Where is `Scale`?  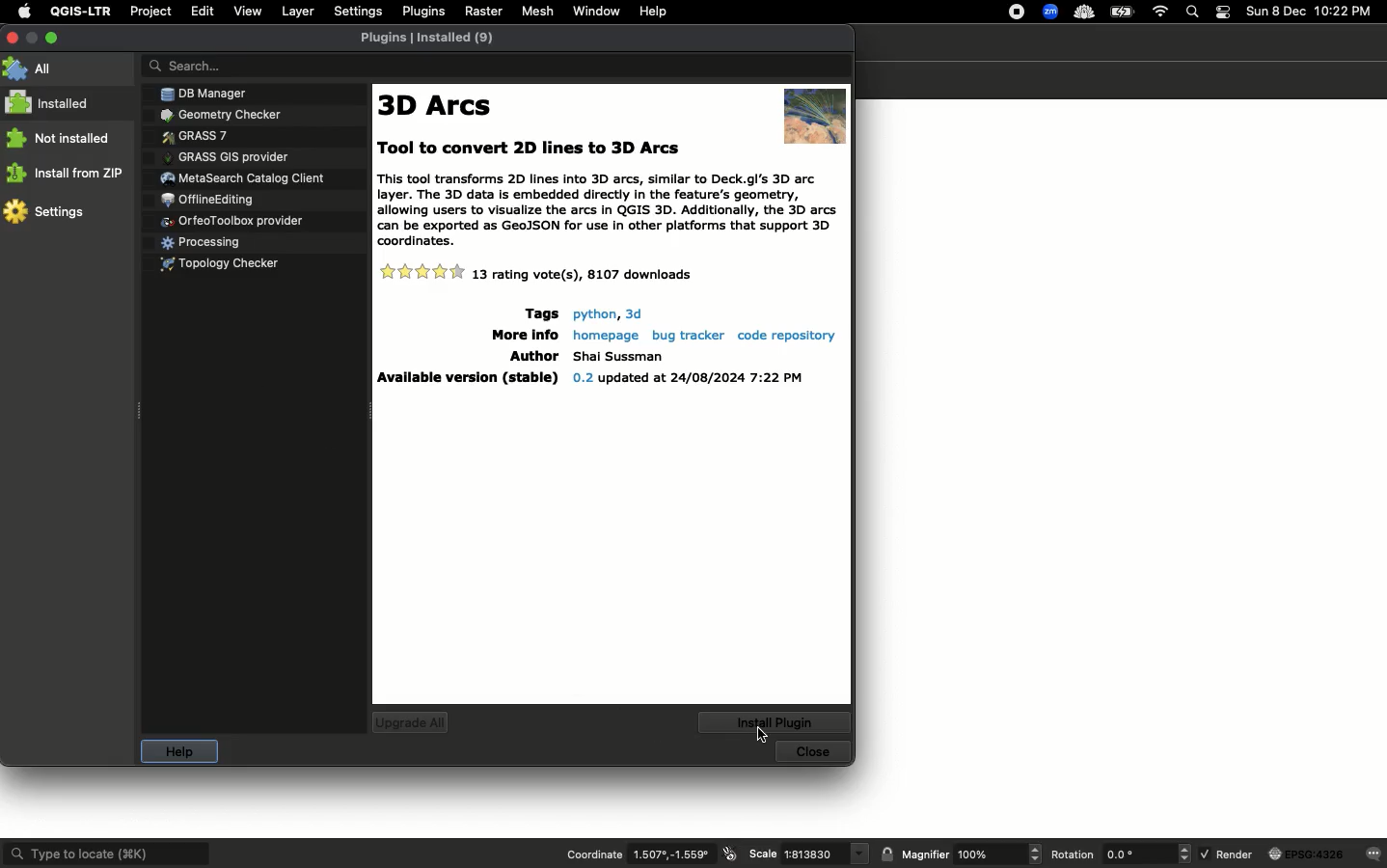
Scale is located at coordinates (763, 853).